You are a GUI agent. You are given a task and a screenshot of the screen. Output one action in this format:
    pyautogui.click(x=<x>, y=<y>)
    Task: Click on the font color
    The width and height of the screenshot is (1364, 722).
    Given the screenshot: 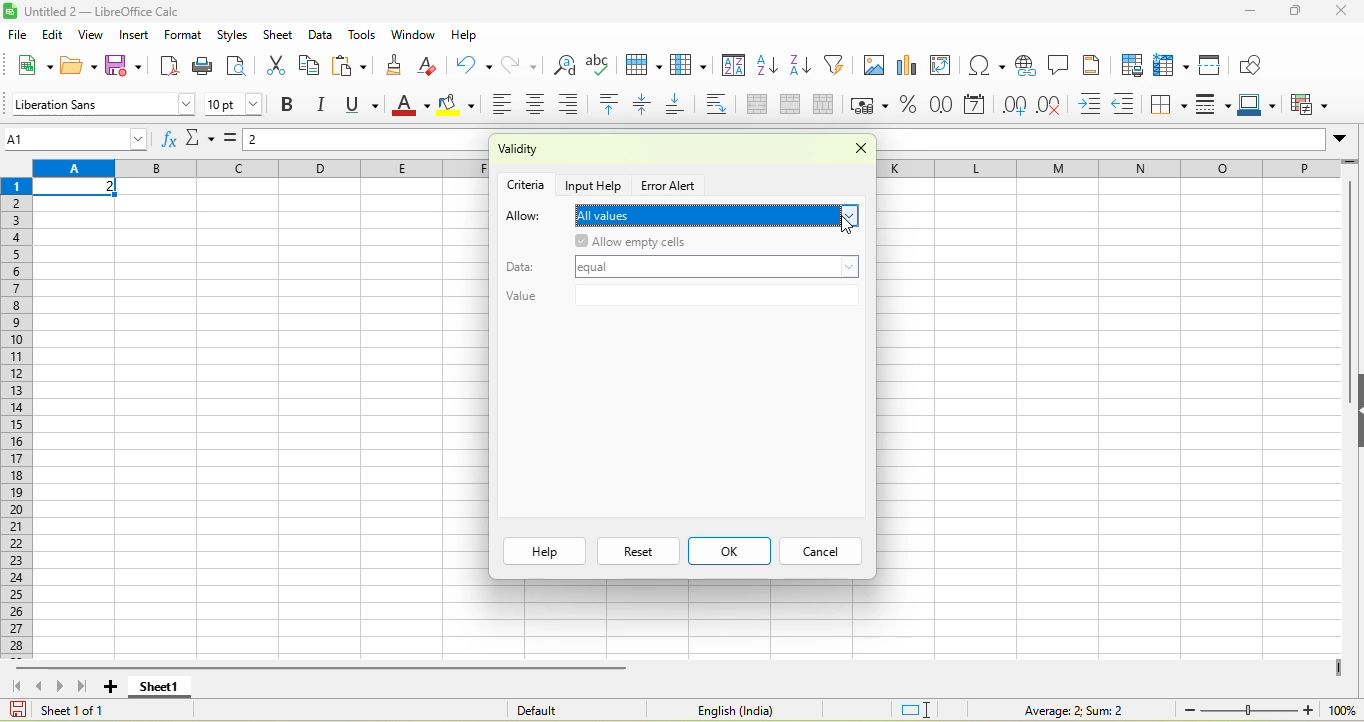 What is the action you would take?
    pyautogui.click(x=411, y=106)
    